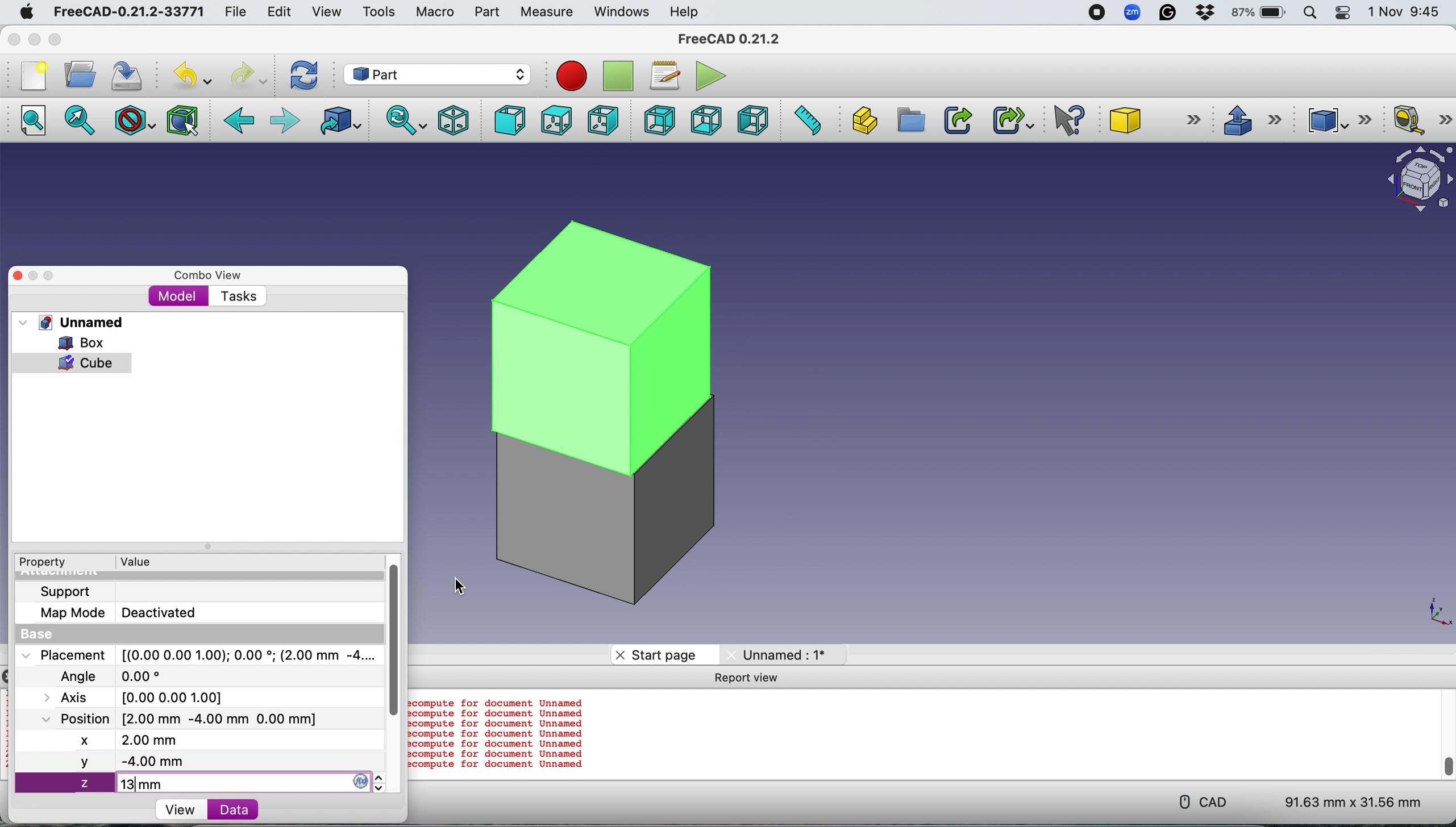 The image size is (1456, 827). What do you see at coordinates (37, 562) in the screenshot?
I see `Property` at bounding box center [37, 562].